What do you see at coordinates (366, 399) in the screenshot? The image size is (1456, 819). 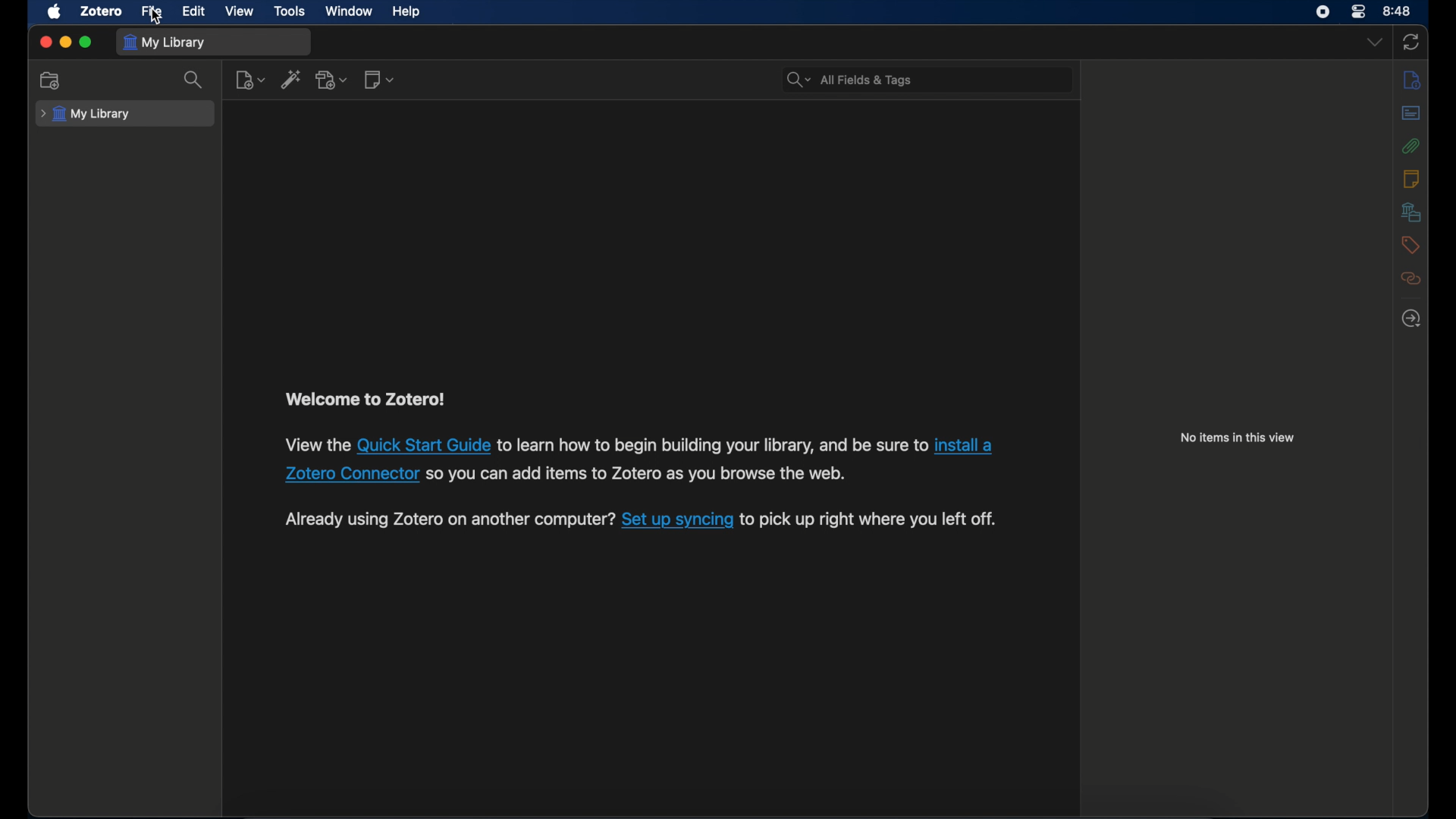 I see `welcome to zotero` at bounding box center [366, 399].